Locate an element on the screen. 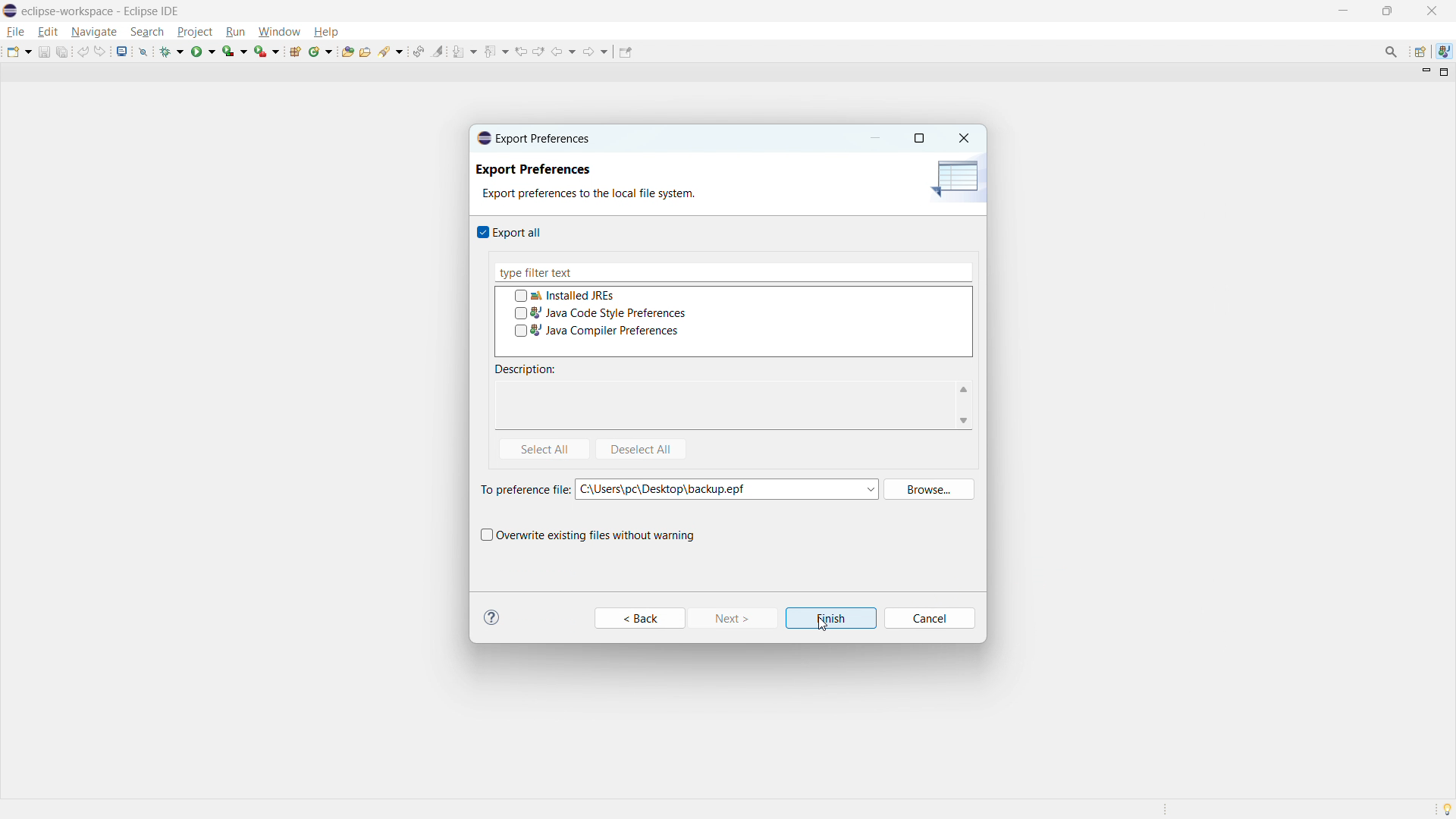 This screenshot has height=819, width=1456. save is located at coordinates (43, 52).